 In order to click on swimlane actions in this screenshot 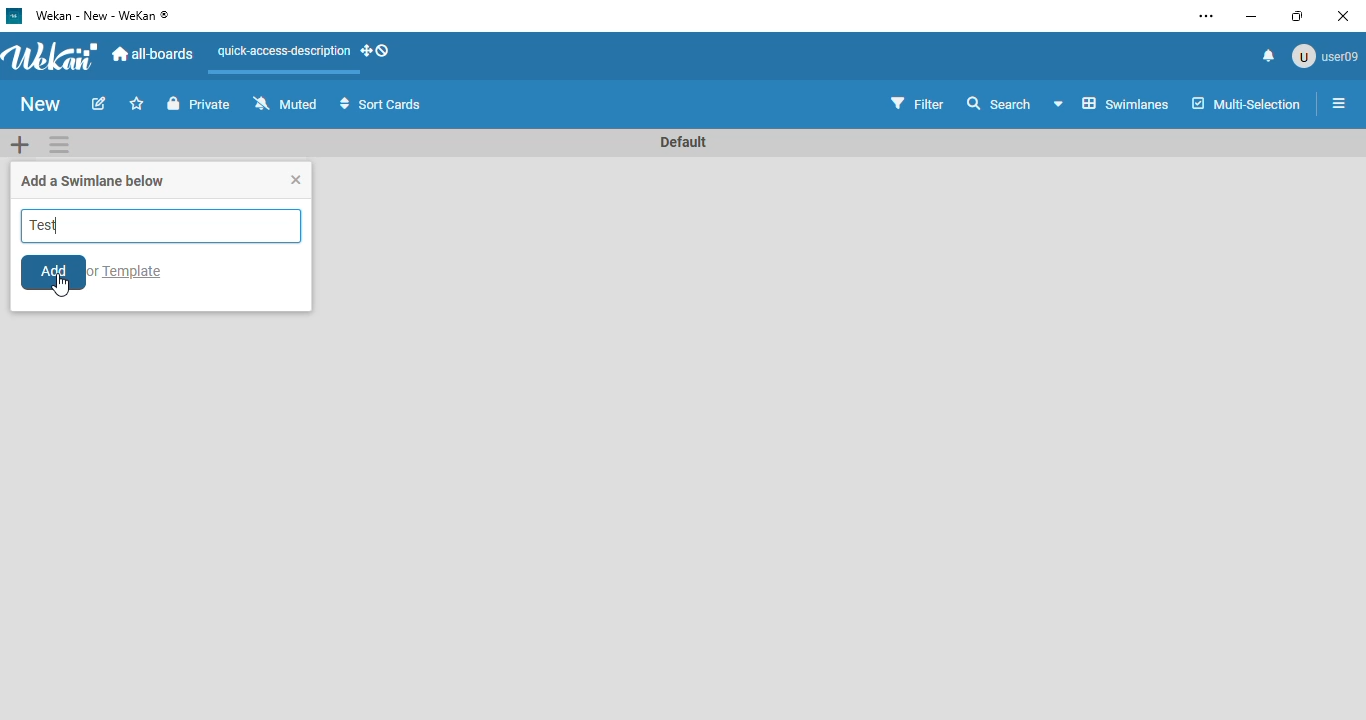, I will do `click(59, 145)`.